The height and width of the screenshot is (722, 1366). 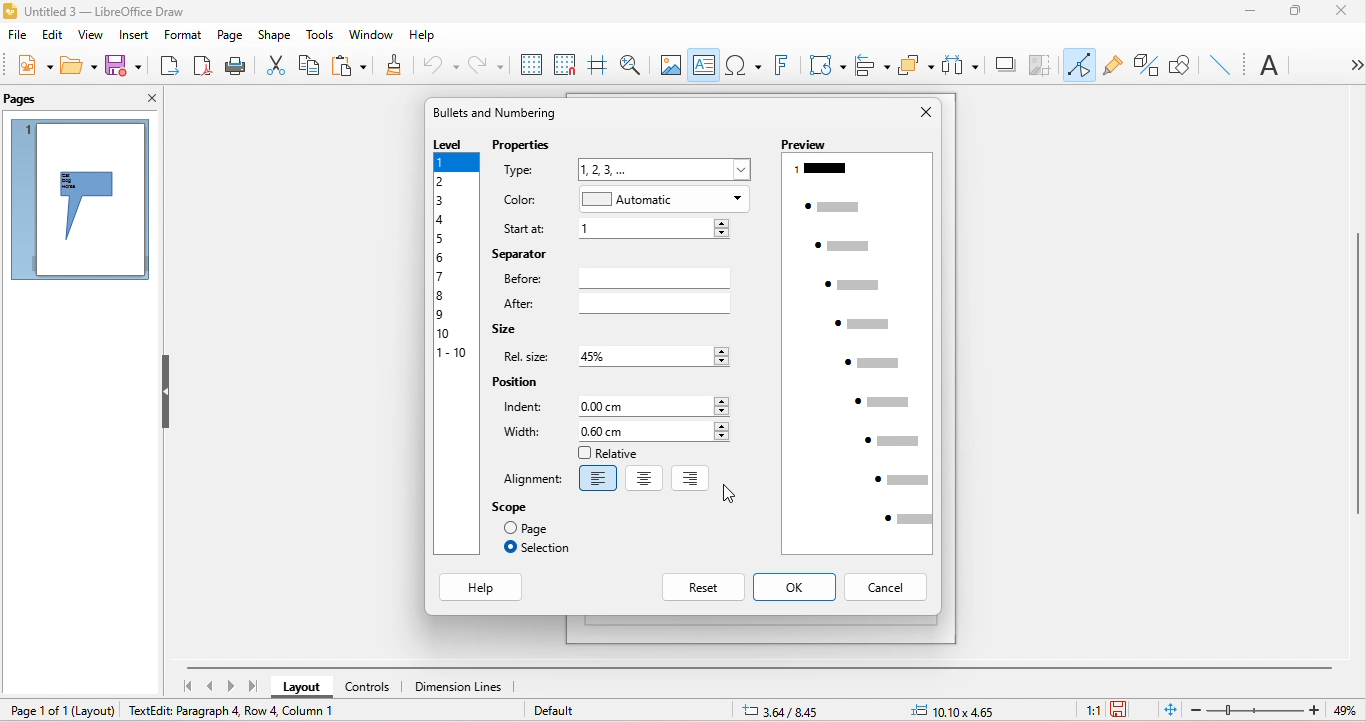 What do you see at coordinates (457, 345) in the screenshot?
I see `level` at bounding box center [457, 345].